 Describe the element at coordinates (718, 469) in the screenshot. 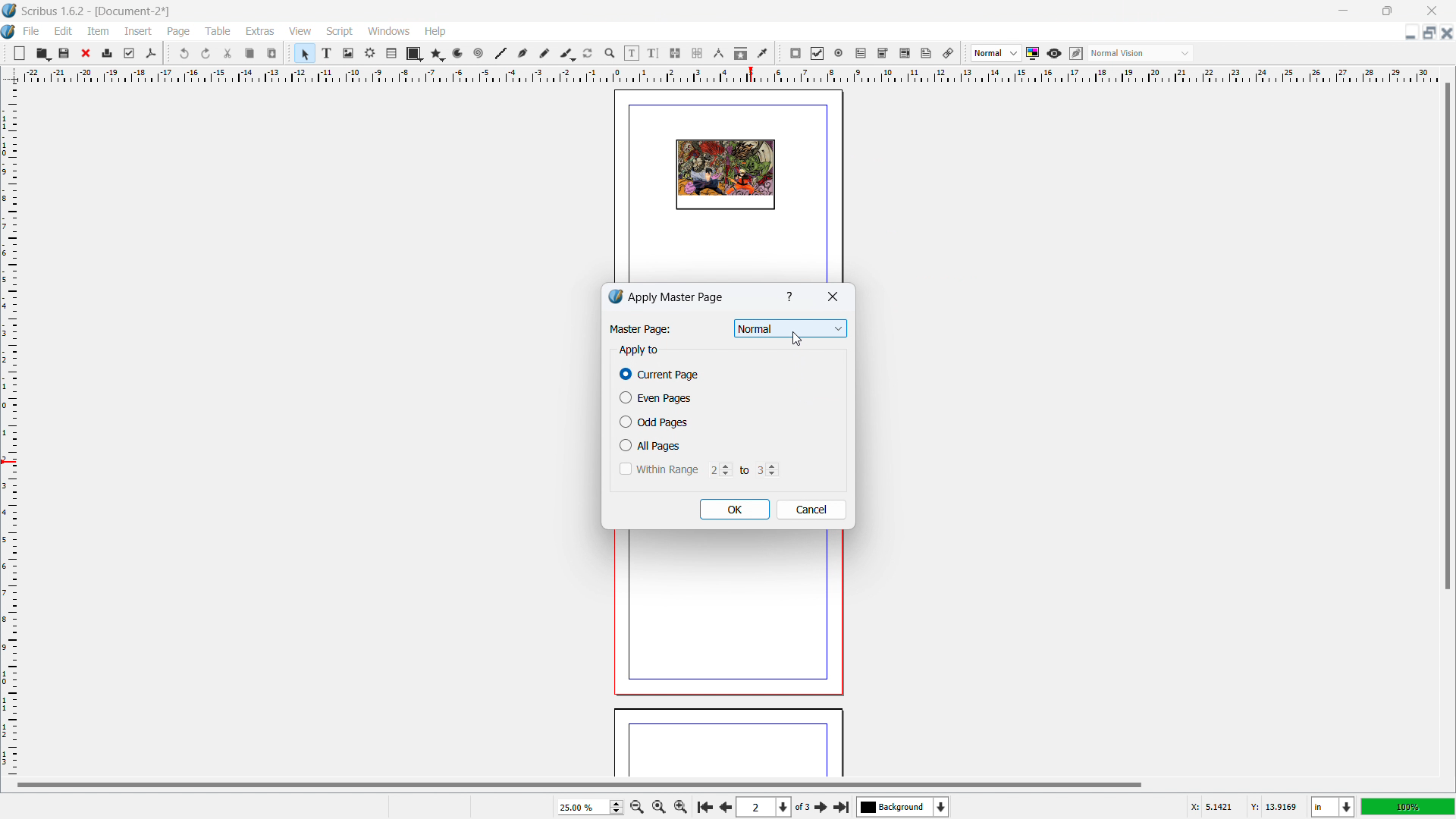

I see `range starting from page number` at that location.